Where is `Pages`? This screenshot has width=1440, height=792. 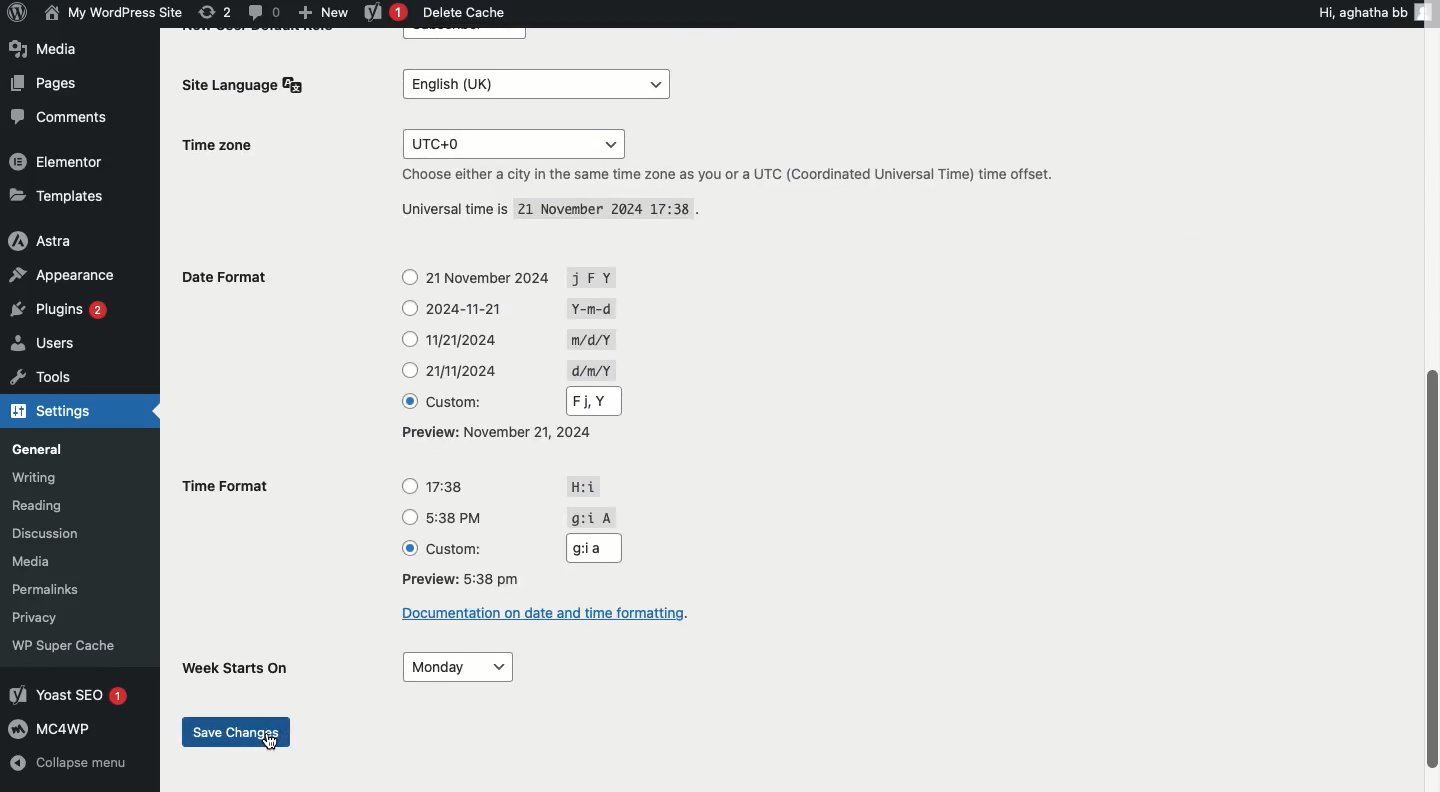 Pages is located at coordinates (42, 83).